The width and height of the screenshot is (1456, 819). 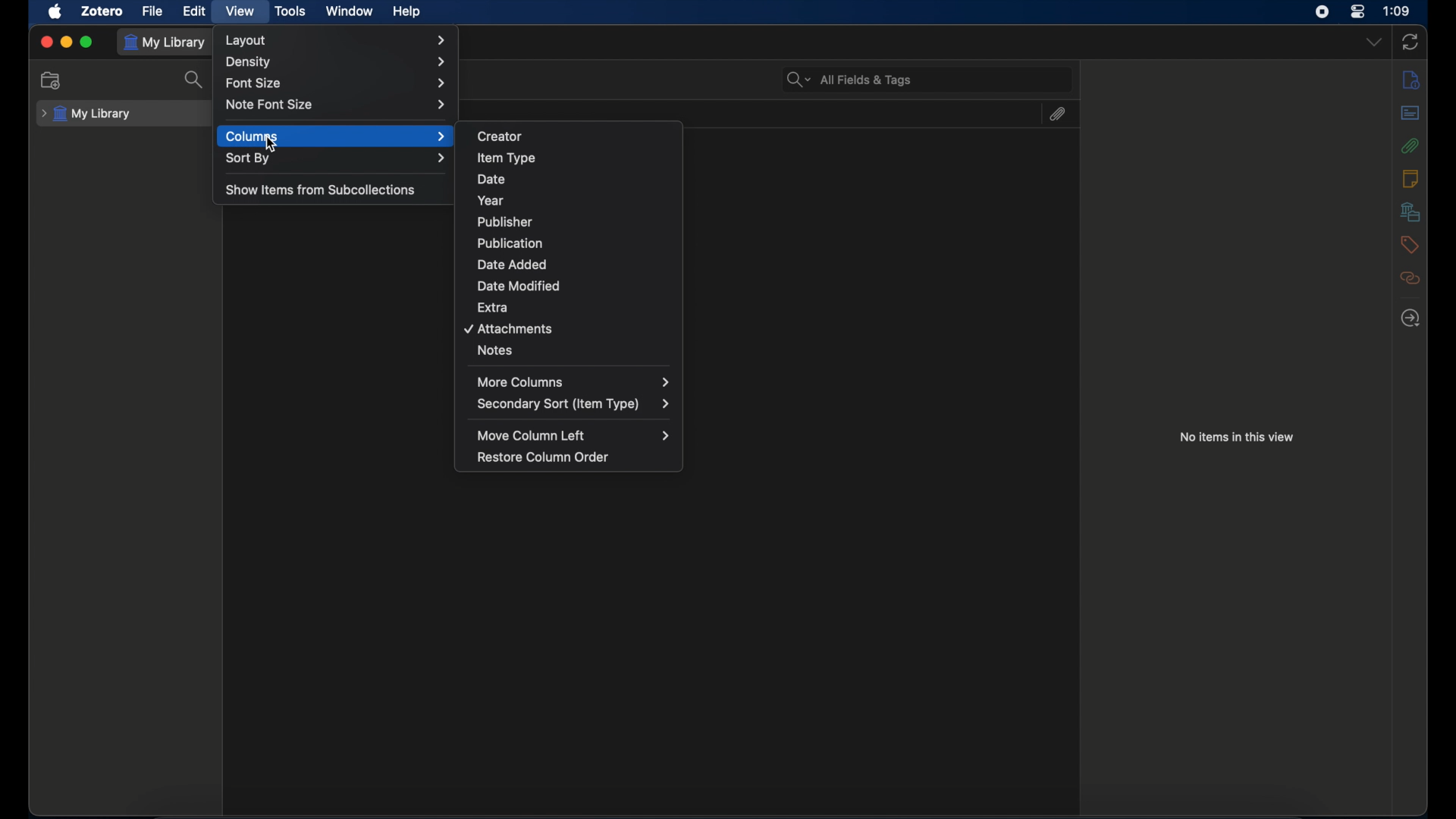 What do you see at coordinates (500, 136) in the screenshot?
I see `creator` at bounding box center [500, 136].